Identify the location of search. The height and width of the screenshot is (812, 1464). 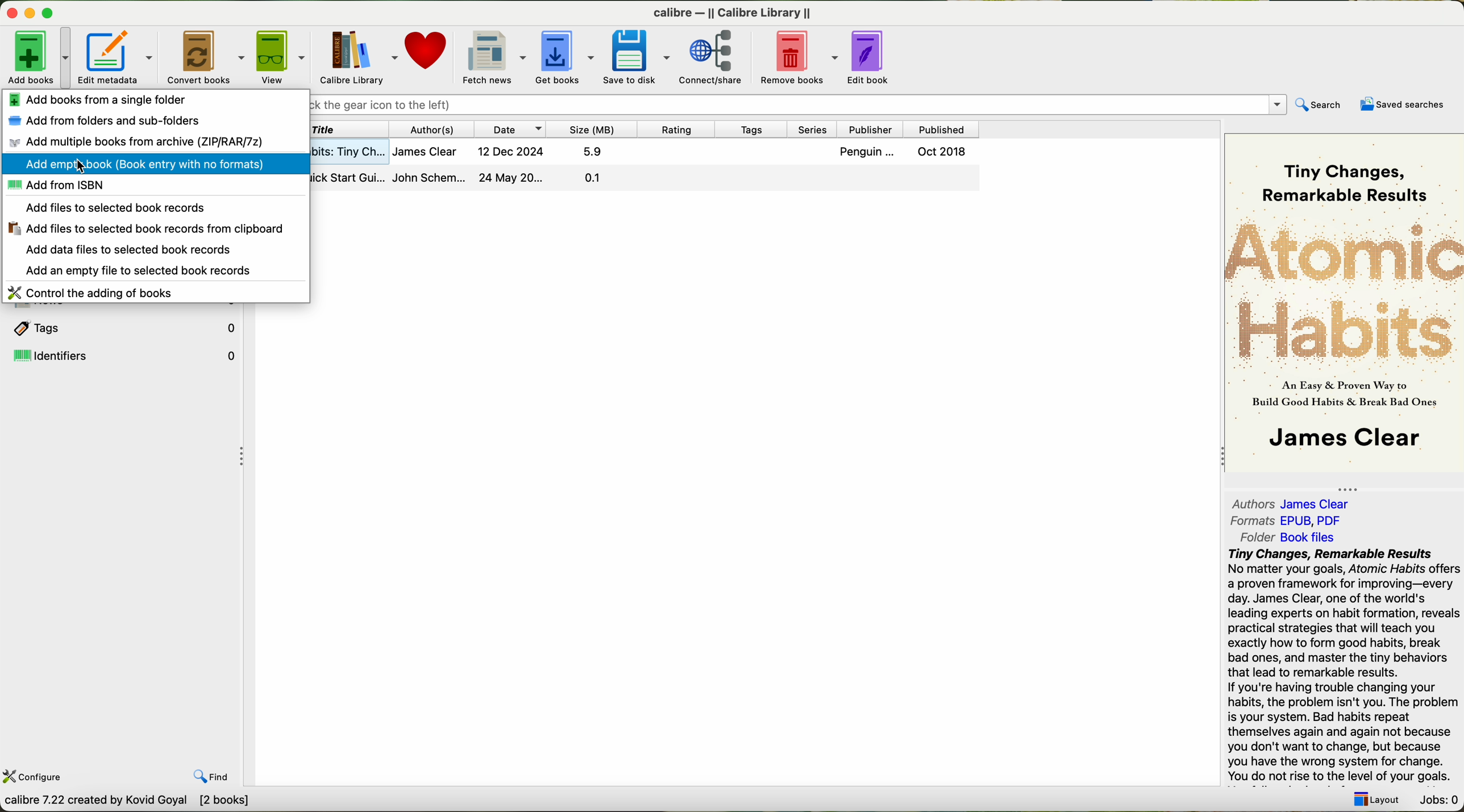
(1321, 103).